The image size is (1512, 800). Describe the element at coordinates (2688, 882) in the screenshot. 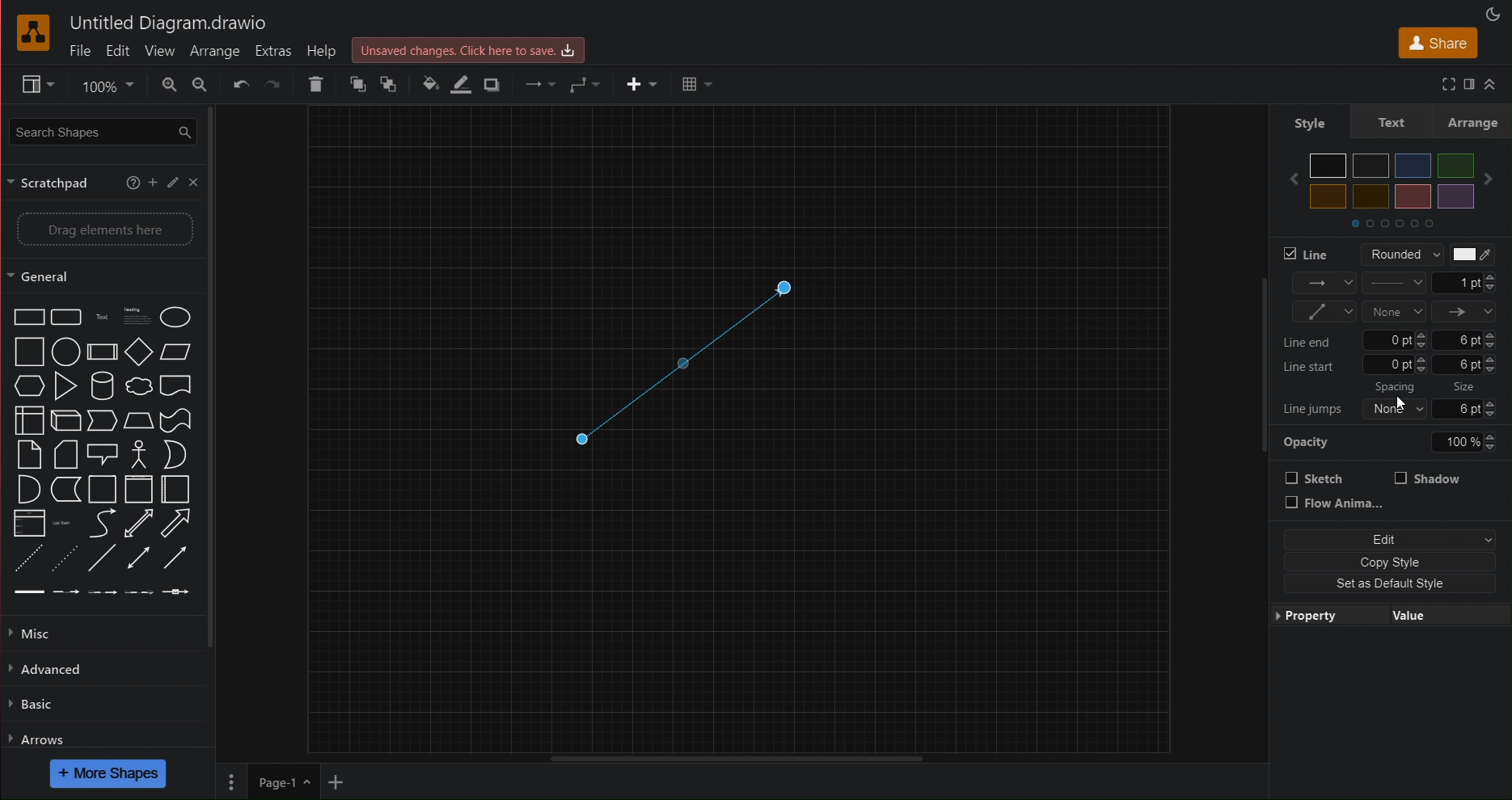

I see `Opacity` at that location.